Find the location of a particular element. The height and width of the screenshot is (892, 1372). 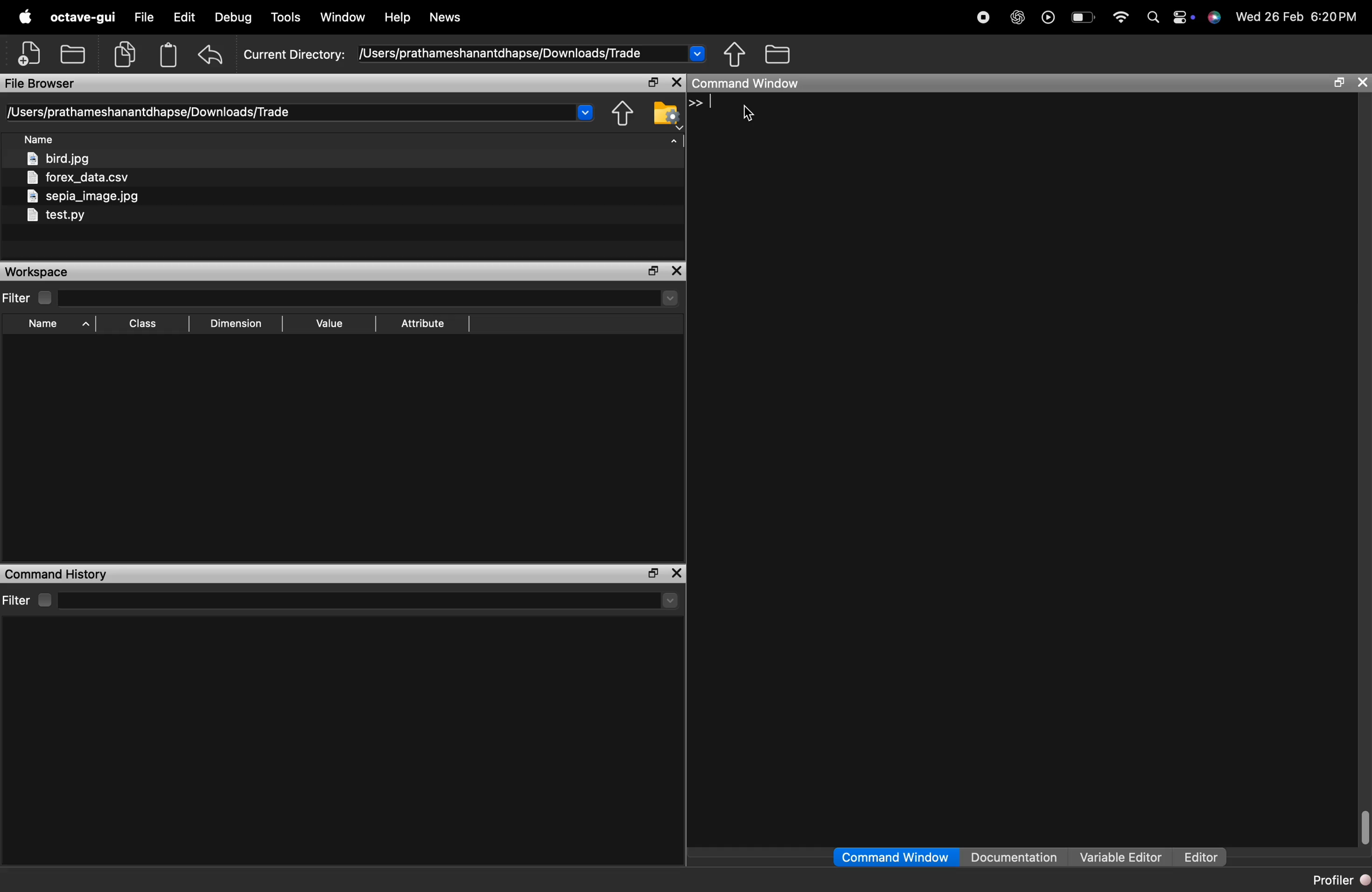

Name is located at coordinates (41, 140).